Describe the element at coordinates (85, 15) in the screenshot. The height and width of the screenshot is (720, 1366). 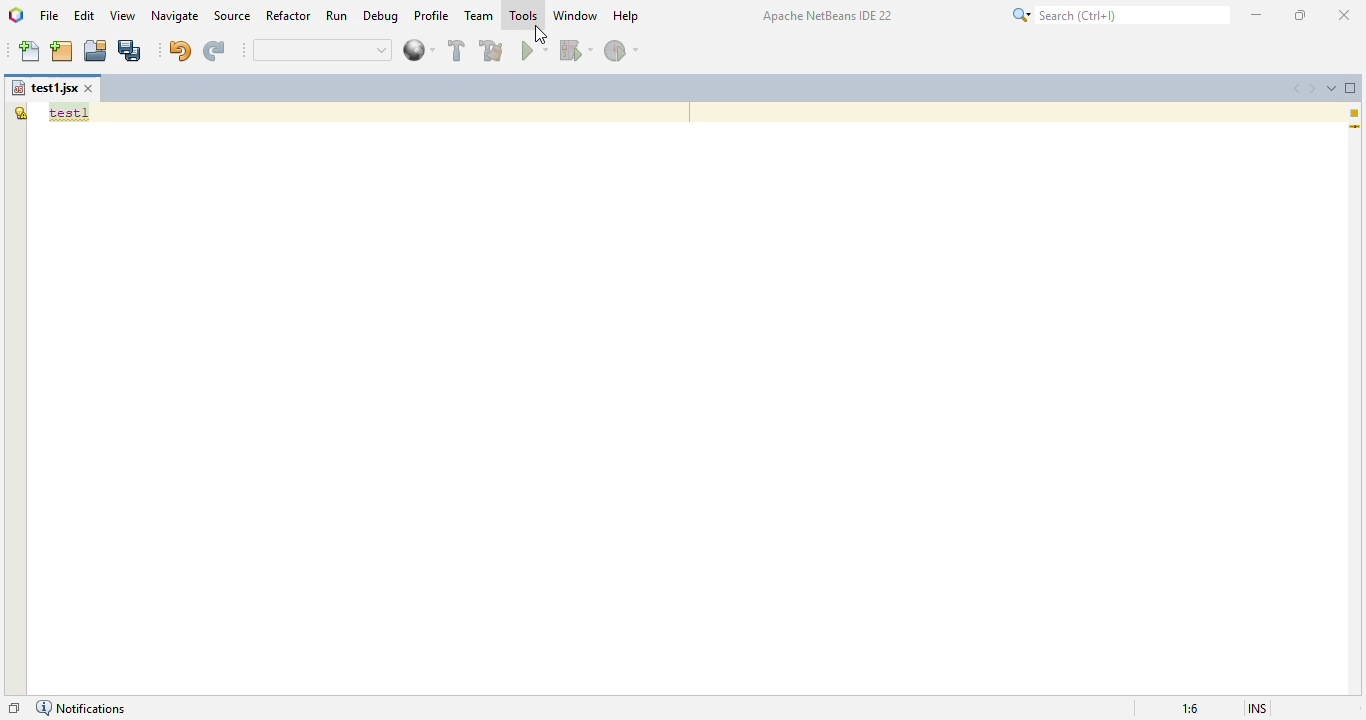
I see `edit` at that location.